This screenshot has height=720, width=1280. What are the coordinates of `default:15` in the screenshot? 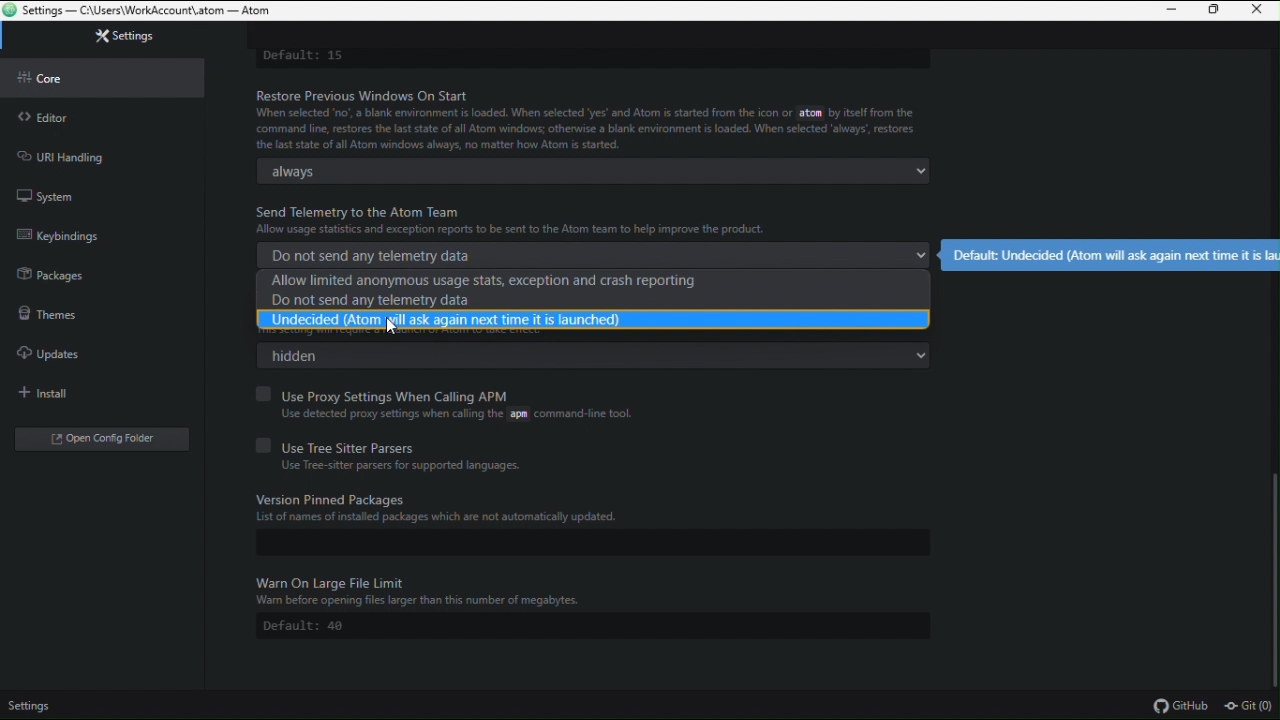 It's located at (308, 53).